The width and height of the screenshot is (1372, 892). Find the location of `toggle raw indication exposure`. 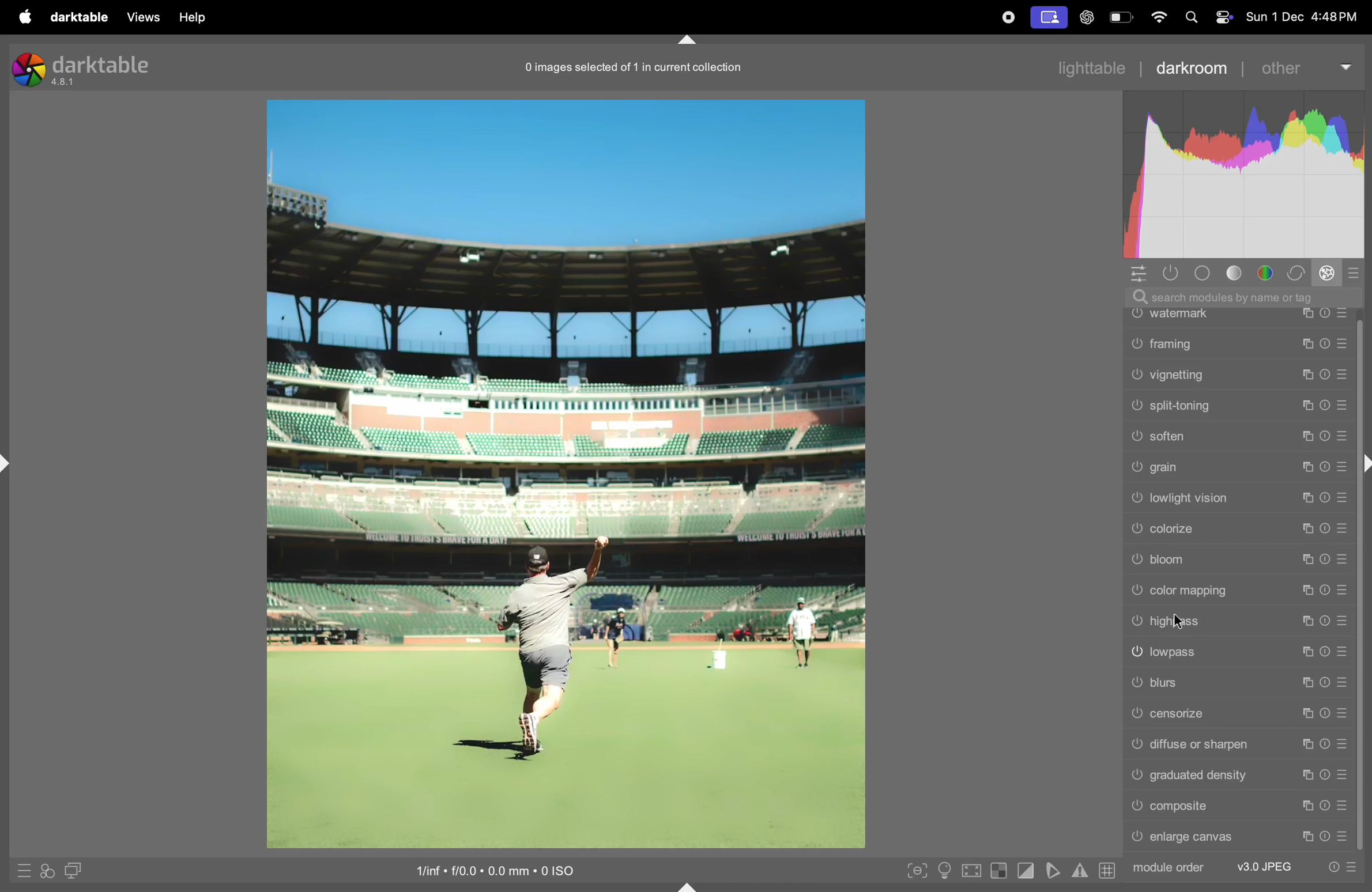

toggle raw indication exposure is located at coordinates (998, 872).